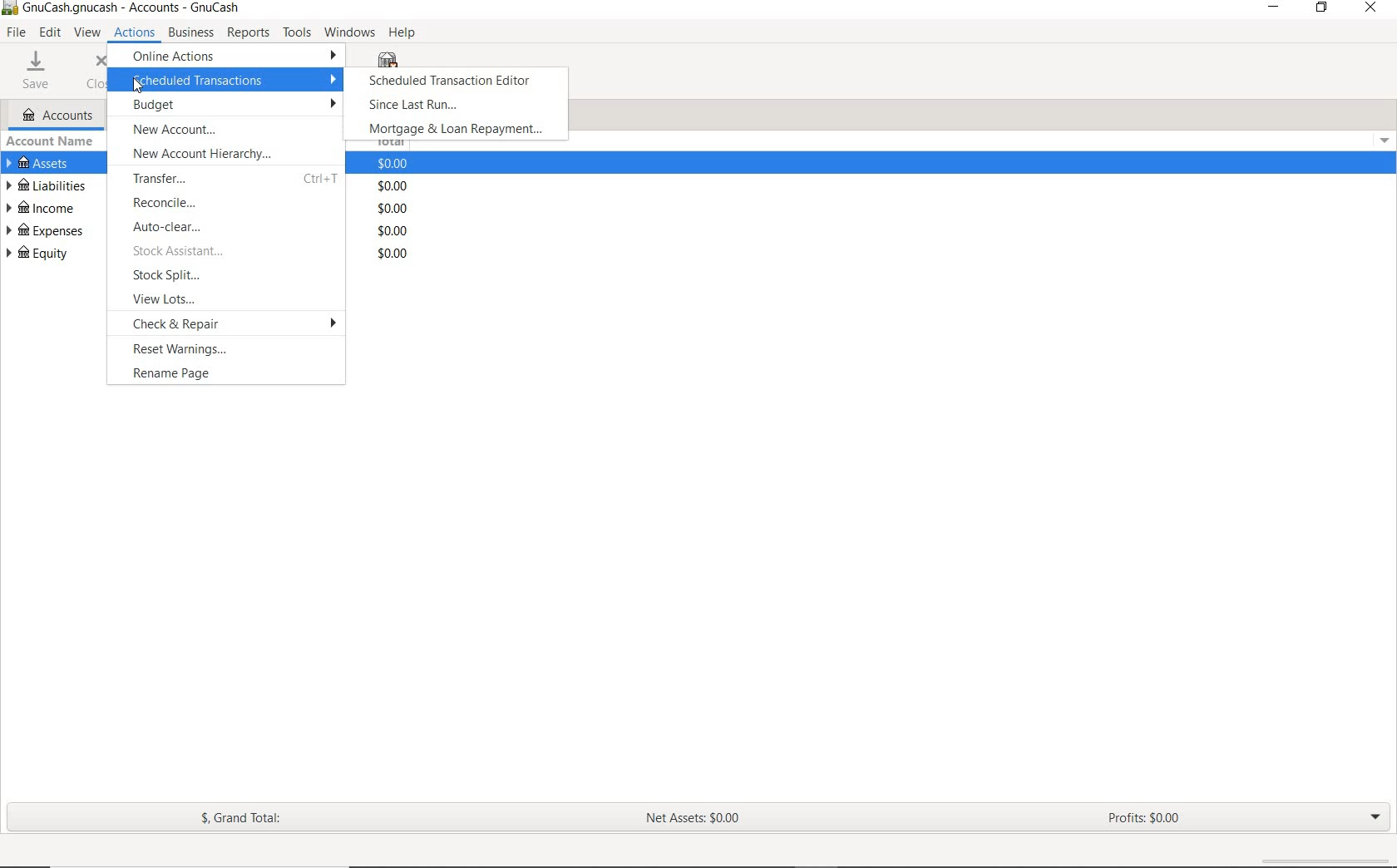  What do you see at coordinates (87, 33) in the screenshot?
I see `VIEW` at bounding box center [87, 33].